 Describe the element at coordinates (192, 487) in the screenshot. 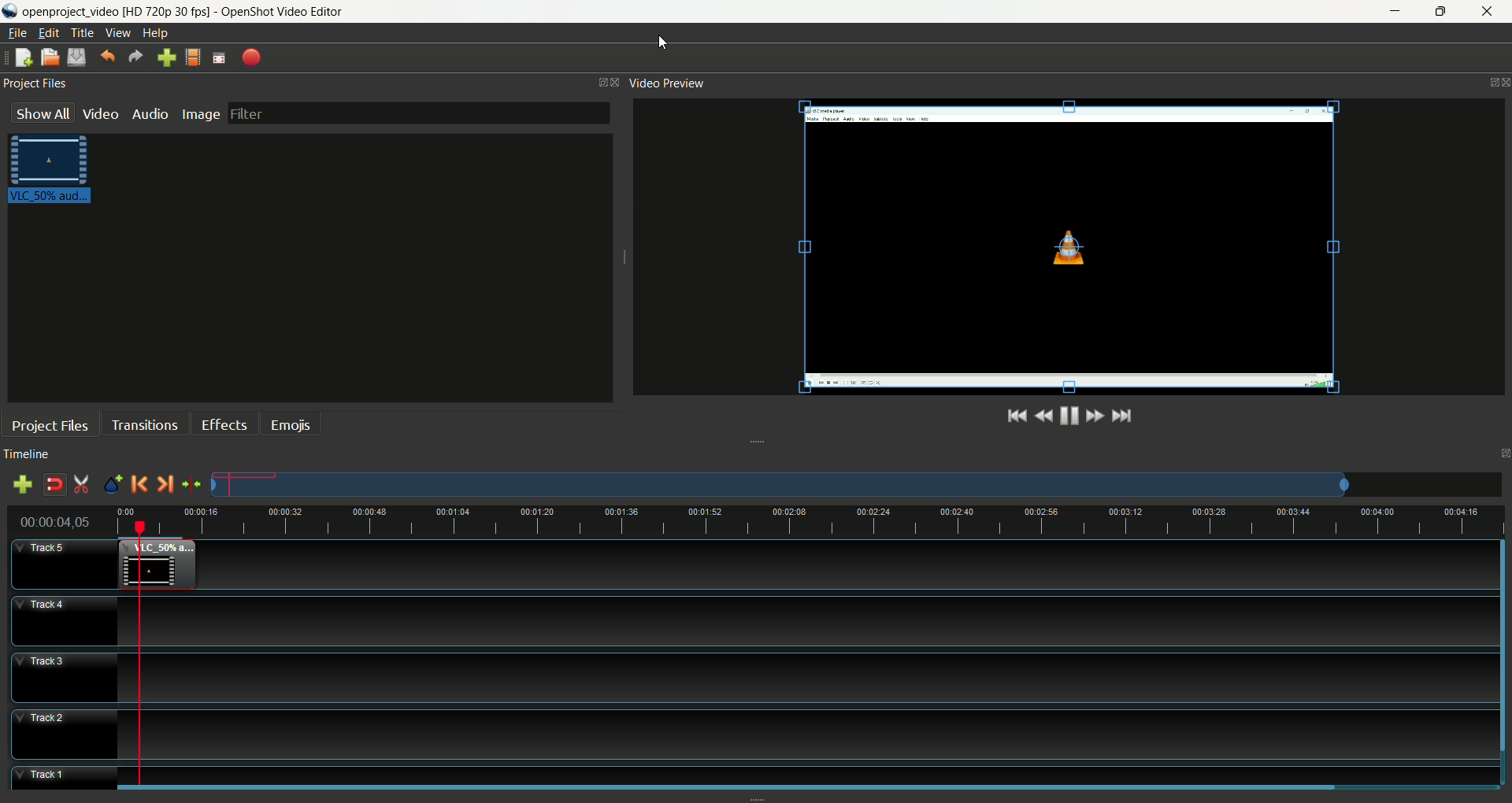

I see `center the timeline on the playhead` at that location.